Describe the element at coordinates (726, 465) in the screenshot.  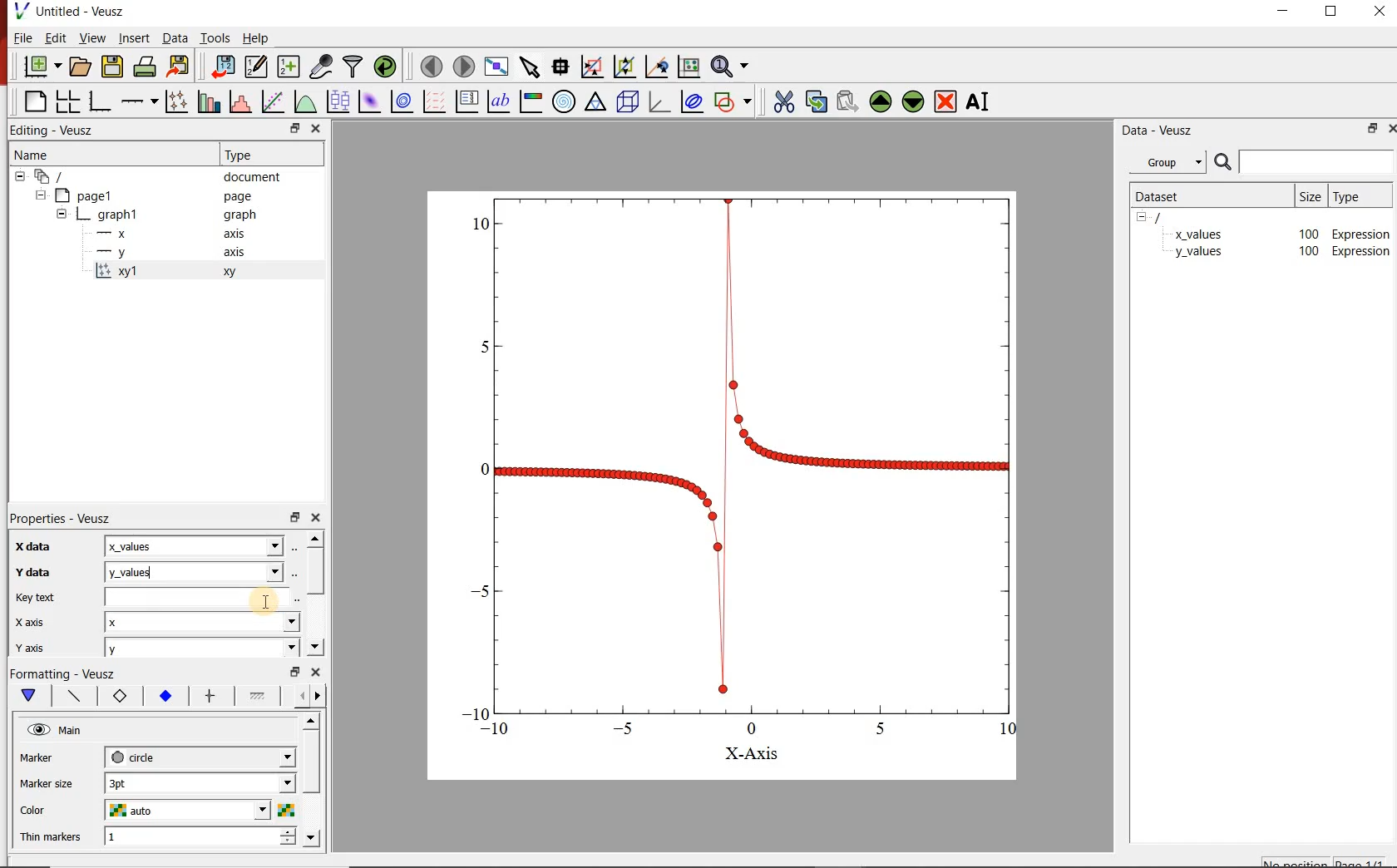
I see `graph` at that location.